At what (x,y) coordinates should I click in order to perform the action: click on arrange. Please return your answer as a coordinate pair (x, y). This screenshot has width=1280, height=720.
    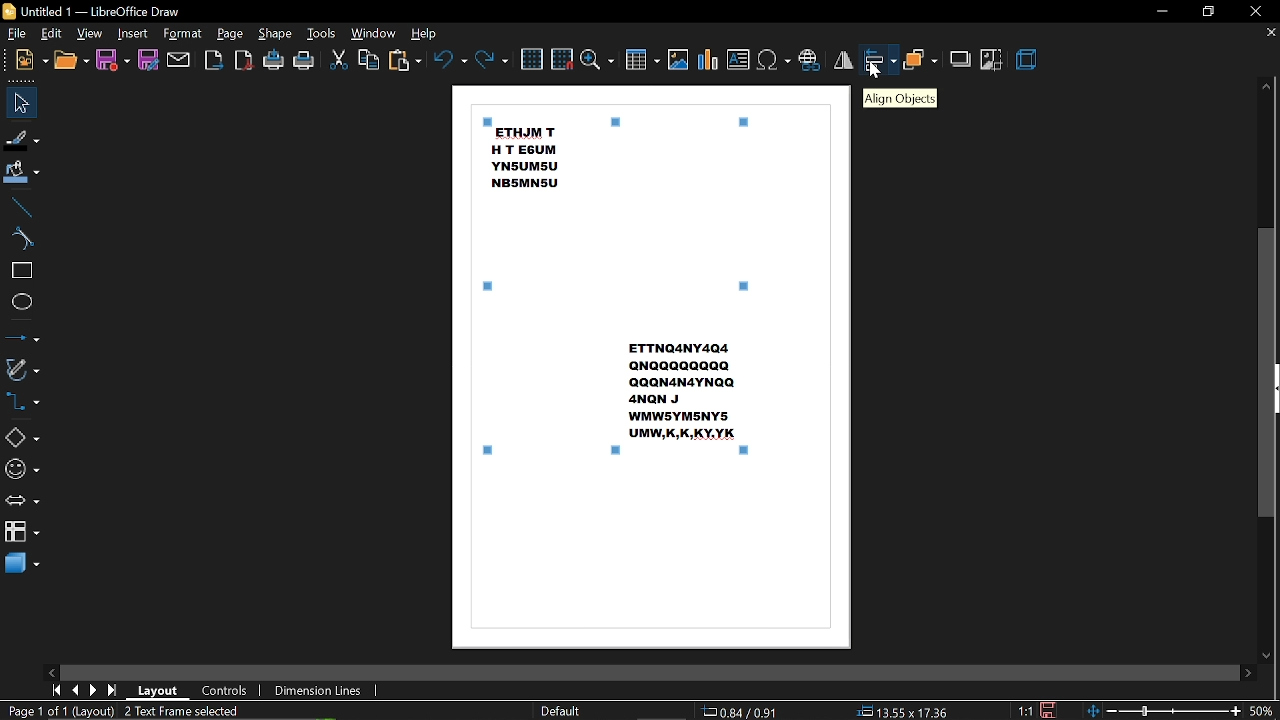
    Looking at the image, I should click on (922, 60).